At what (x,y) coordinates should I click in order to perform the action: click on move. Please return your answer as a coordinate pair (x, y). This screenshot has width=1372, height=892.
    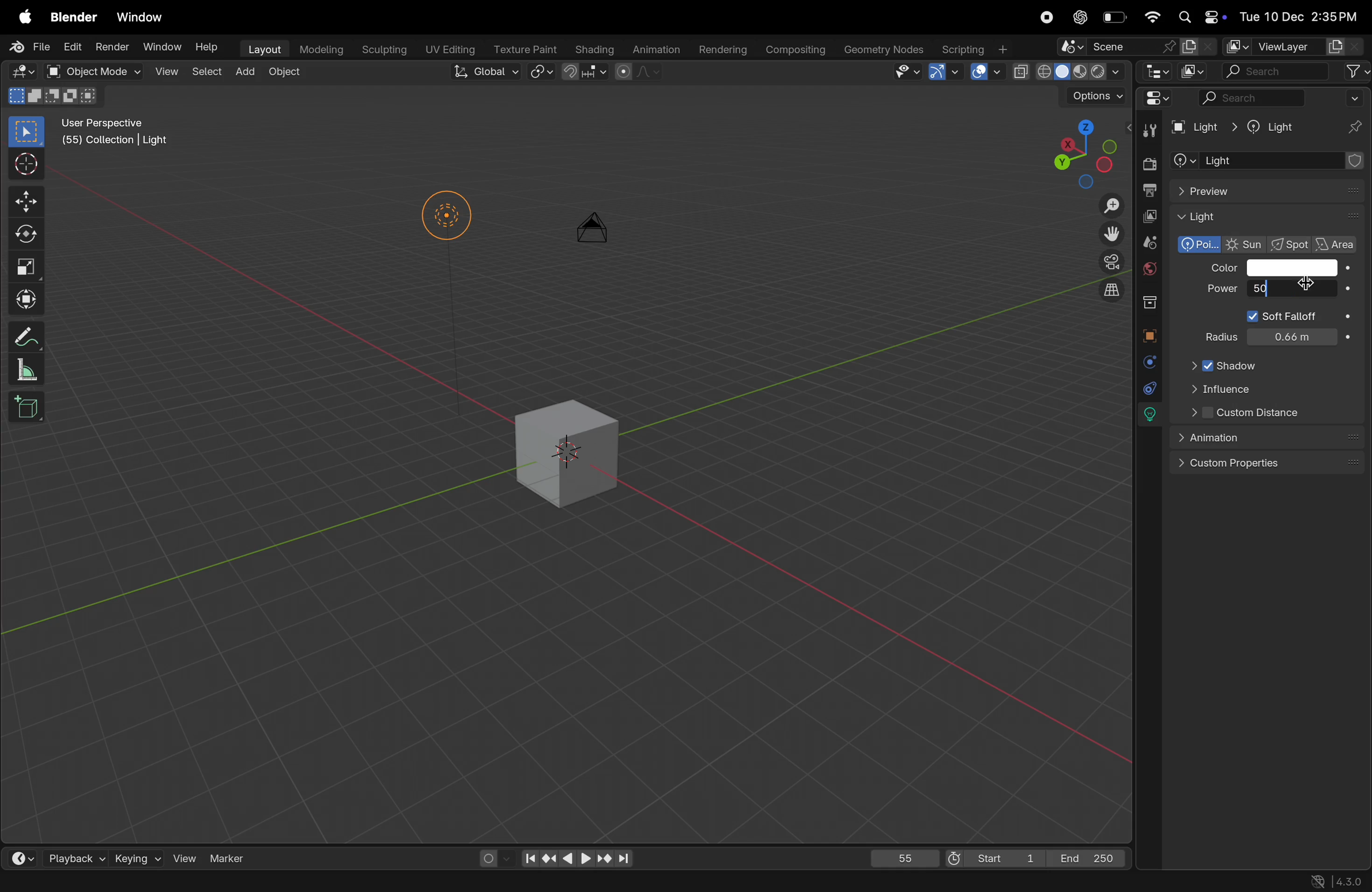
    Looking at the image, I should click on (25, 202).